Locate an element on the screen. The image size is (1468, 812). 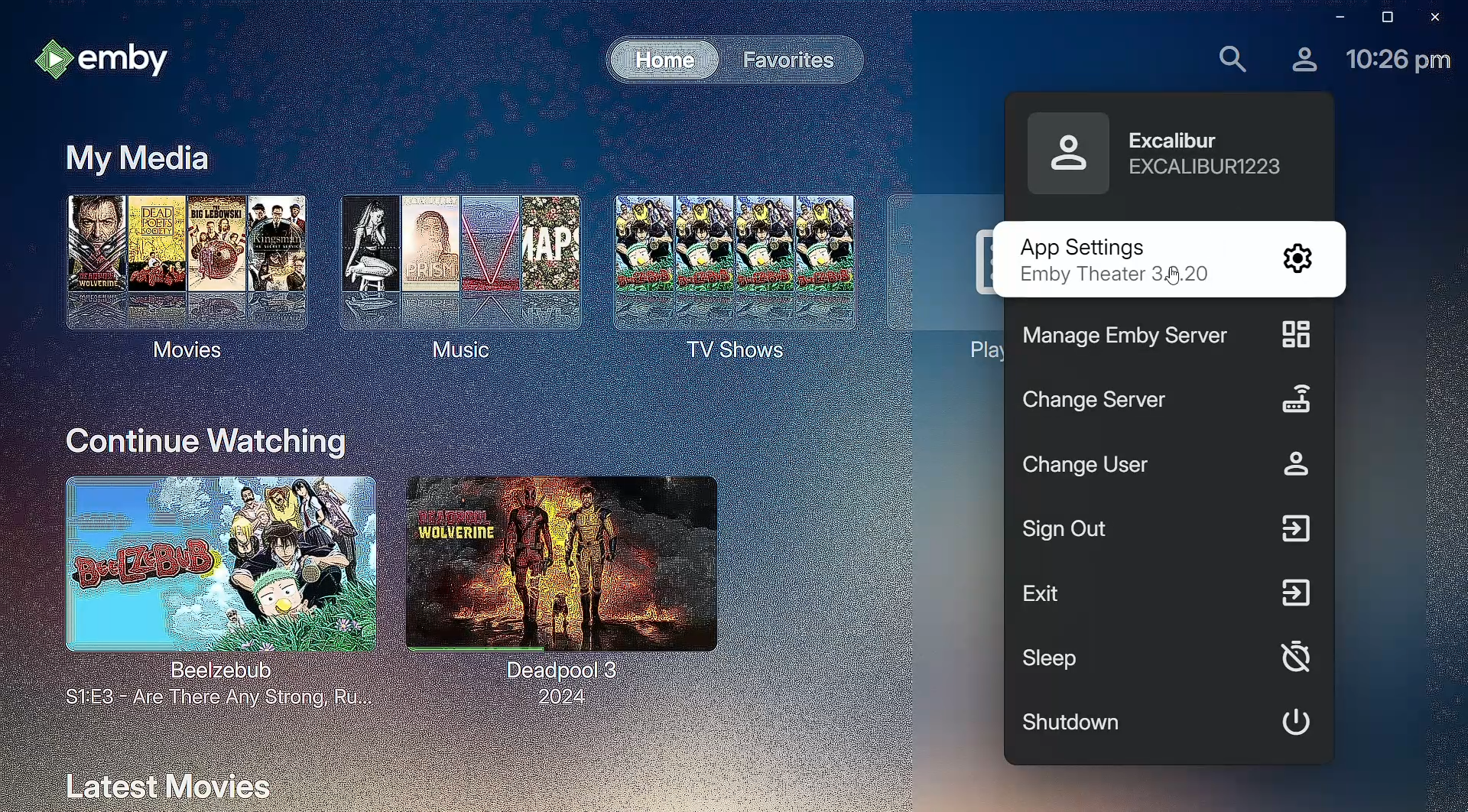
TV Shows is located at coordinates (726, 281).